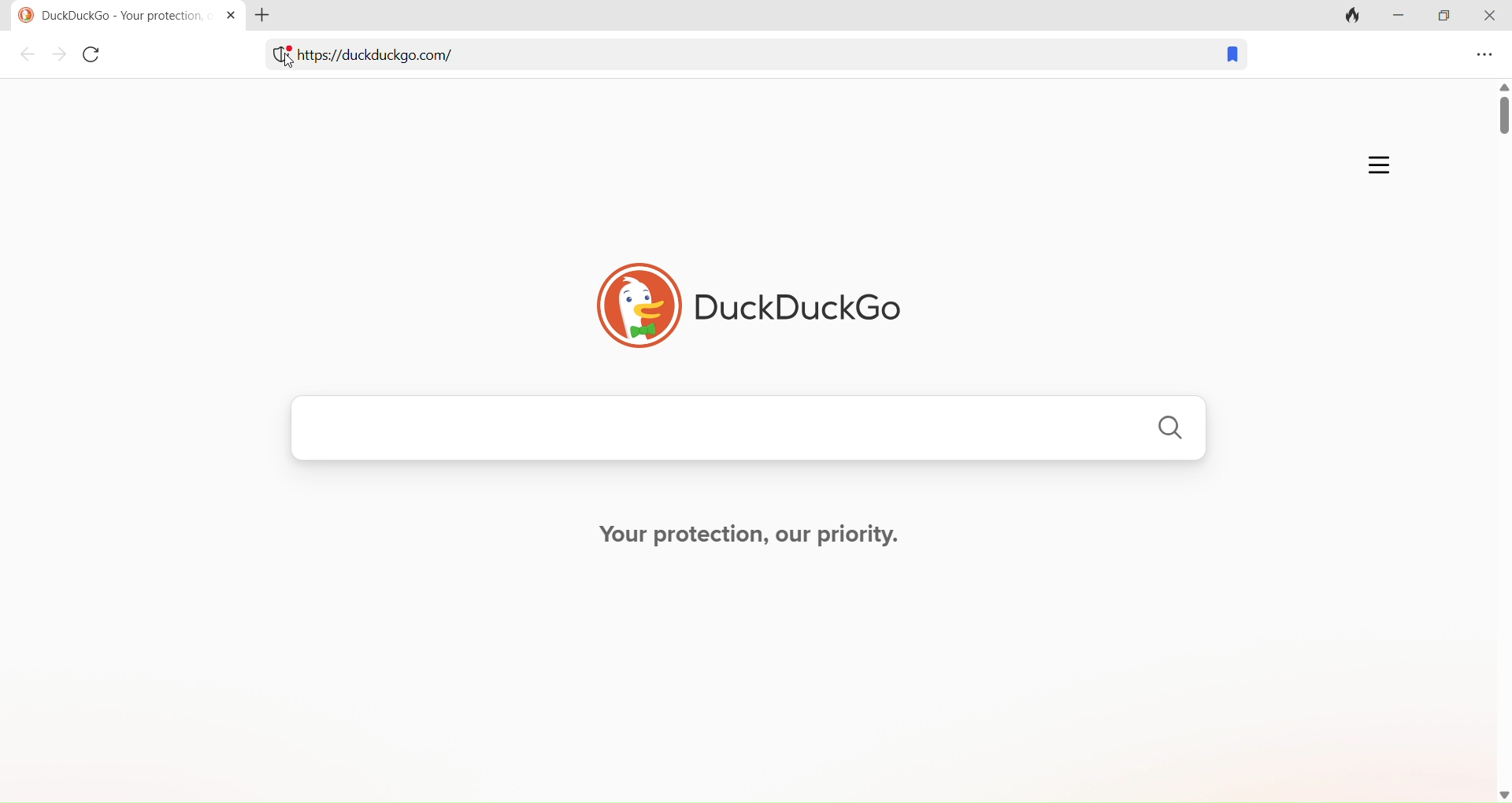  I want to click on © DuckDuckGo - Your protection, so click(106, 16).